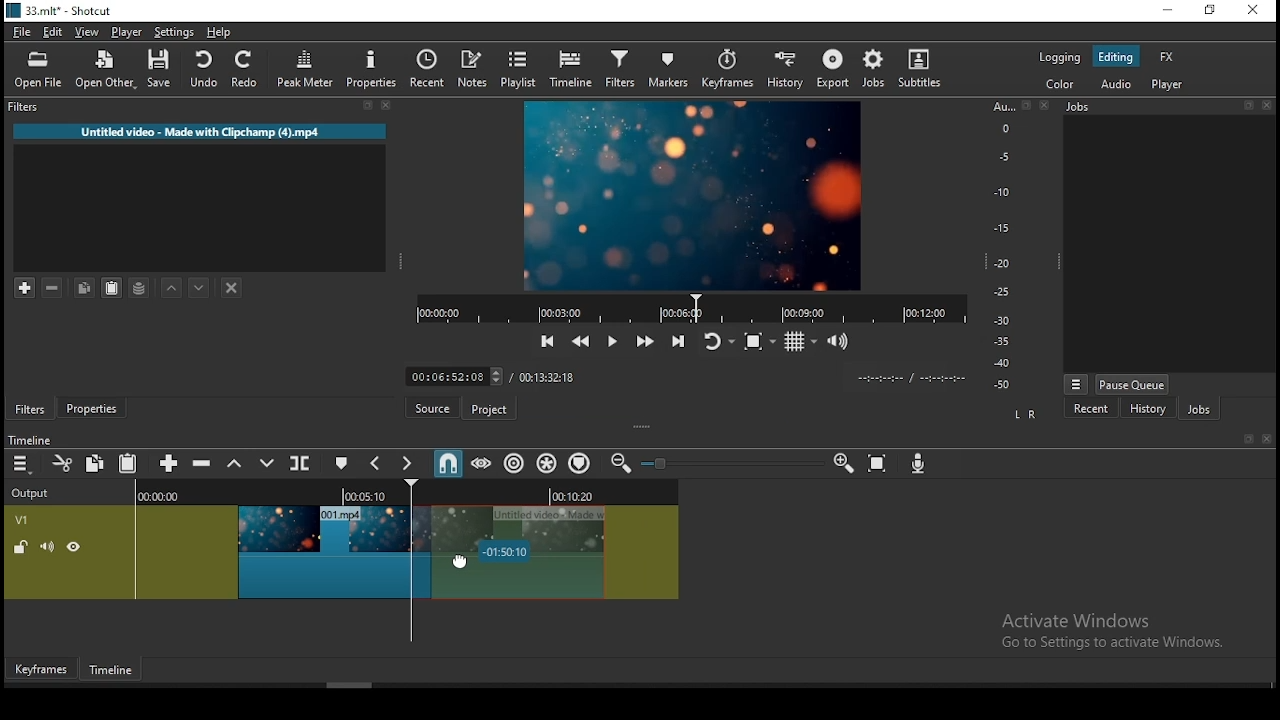 This screenshot has height=720, width=1280. I want to click on properties, so click(94, 408).